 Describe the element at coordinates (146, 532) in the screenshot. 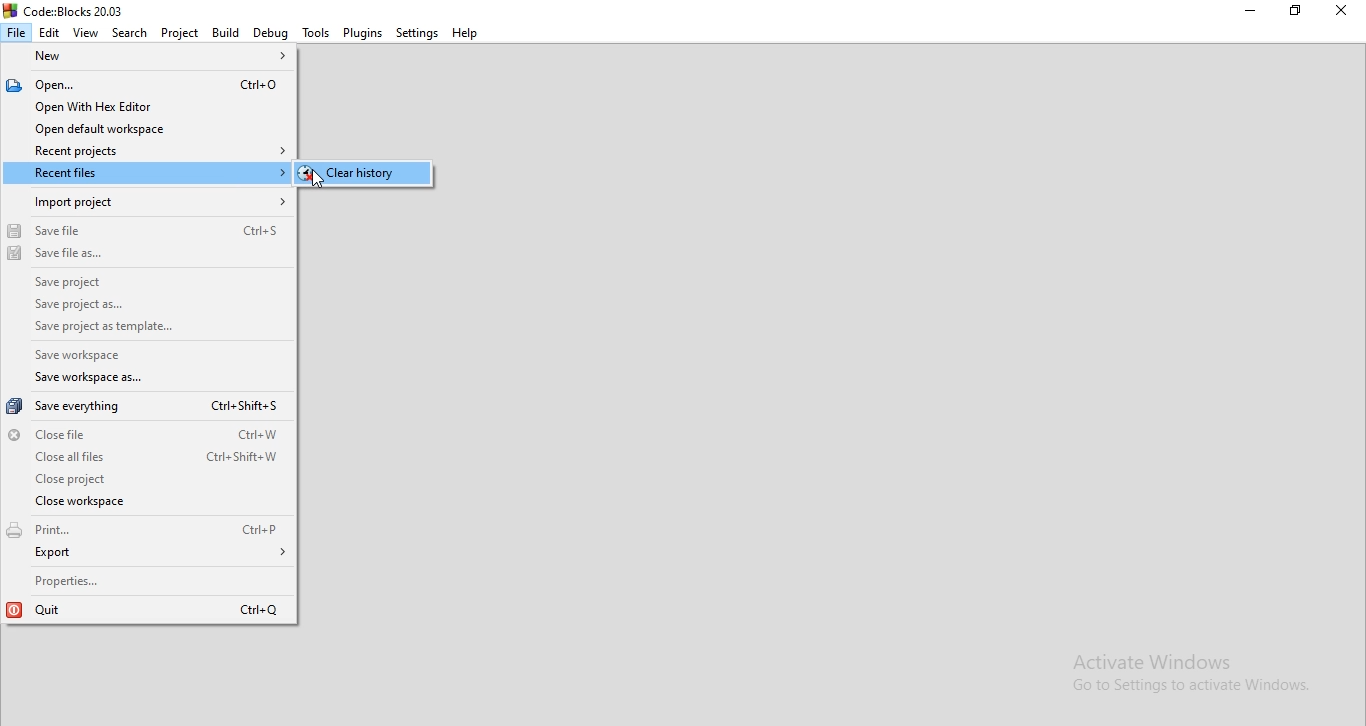

I see `Print` at that location.